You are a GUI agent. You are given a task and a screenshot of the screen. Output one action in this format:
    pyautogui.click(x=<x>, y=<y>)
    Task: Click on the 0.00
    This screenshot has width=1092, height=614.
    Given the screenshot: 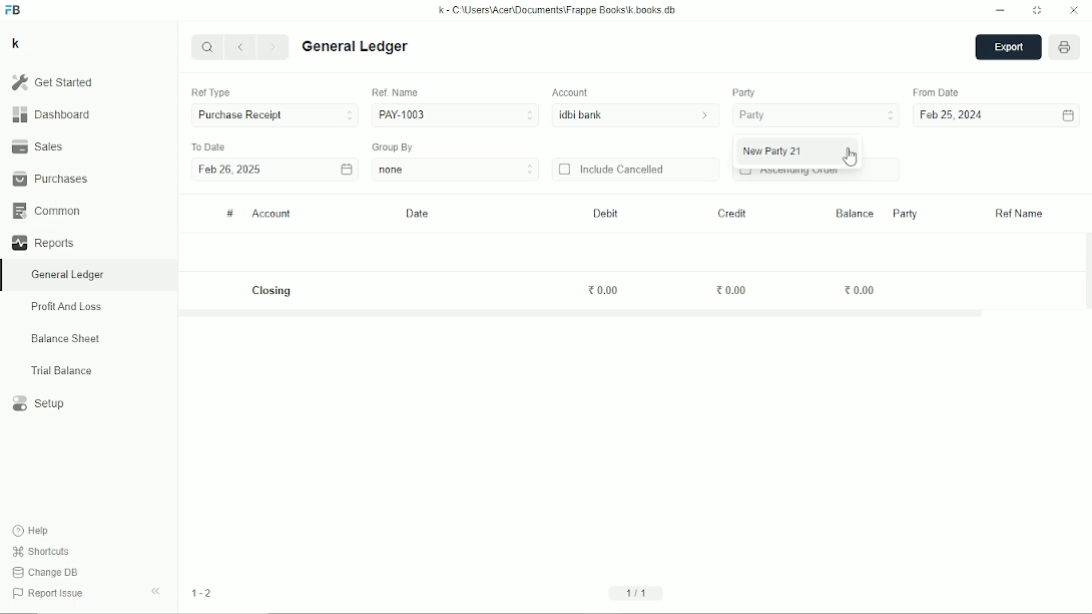 What is the action you would take?
    pyautogui.click(x=860, y=289)
    